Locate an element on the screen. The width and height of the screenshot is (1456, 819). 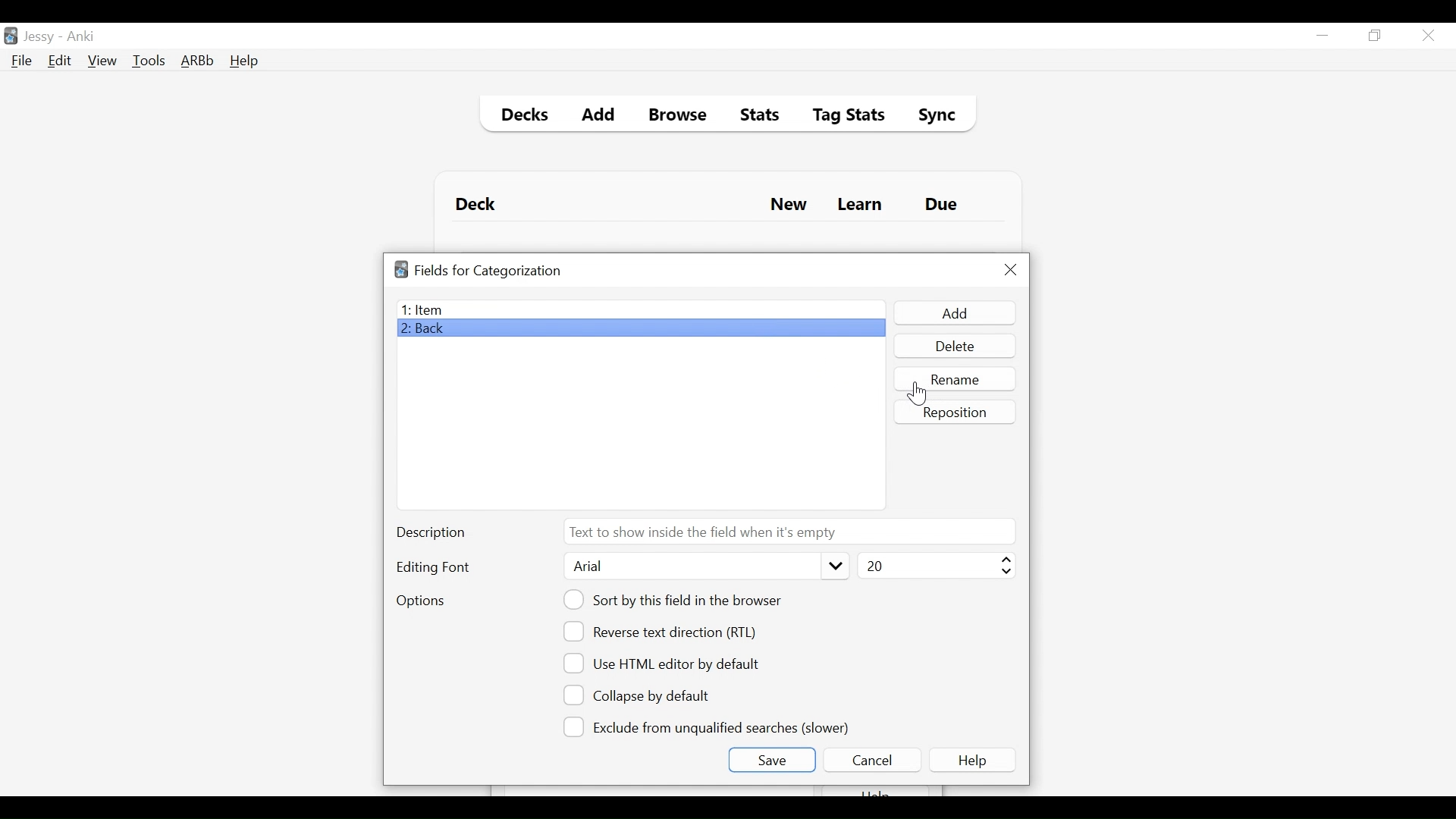
Front is located at coordinates (640, 309).